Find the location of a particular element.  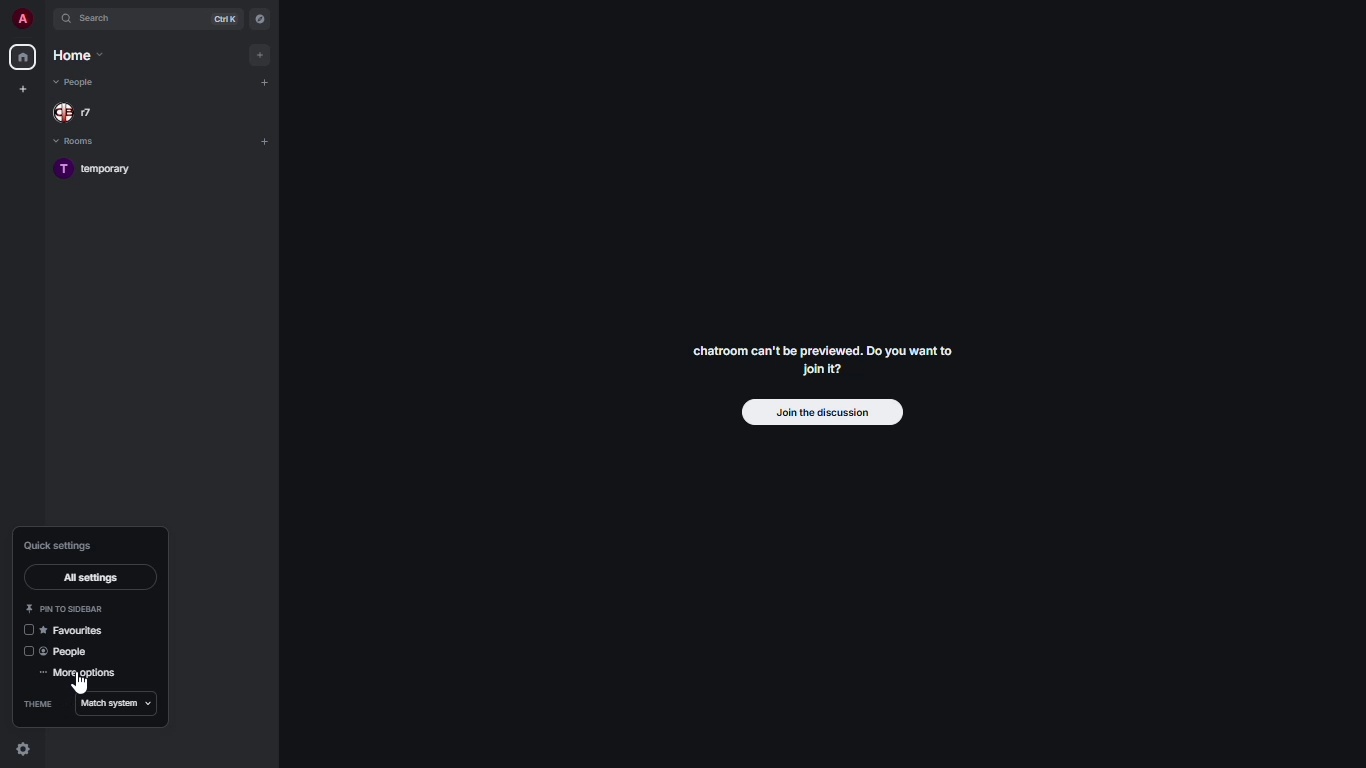

add is located at coordinates (258, 55).